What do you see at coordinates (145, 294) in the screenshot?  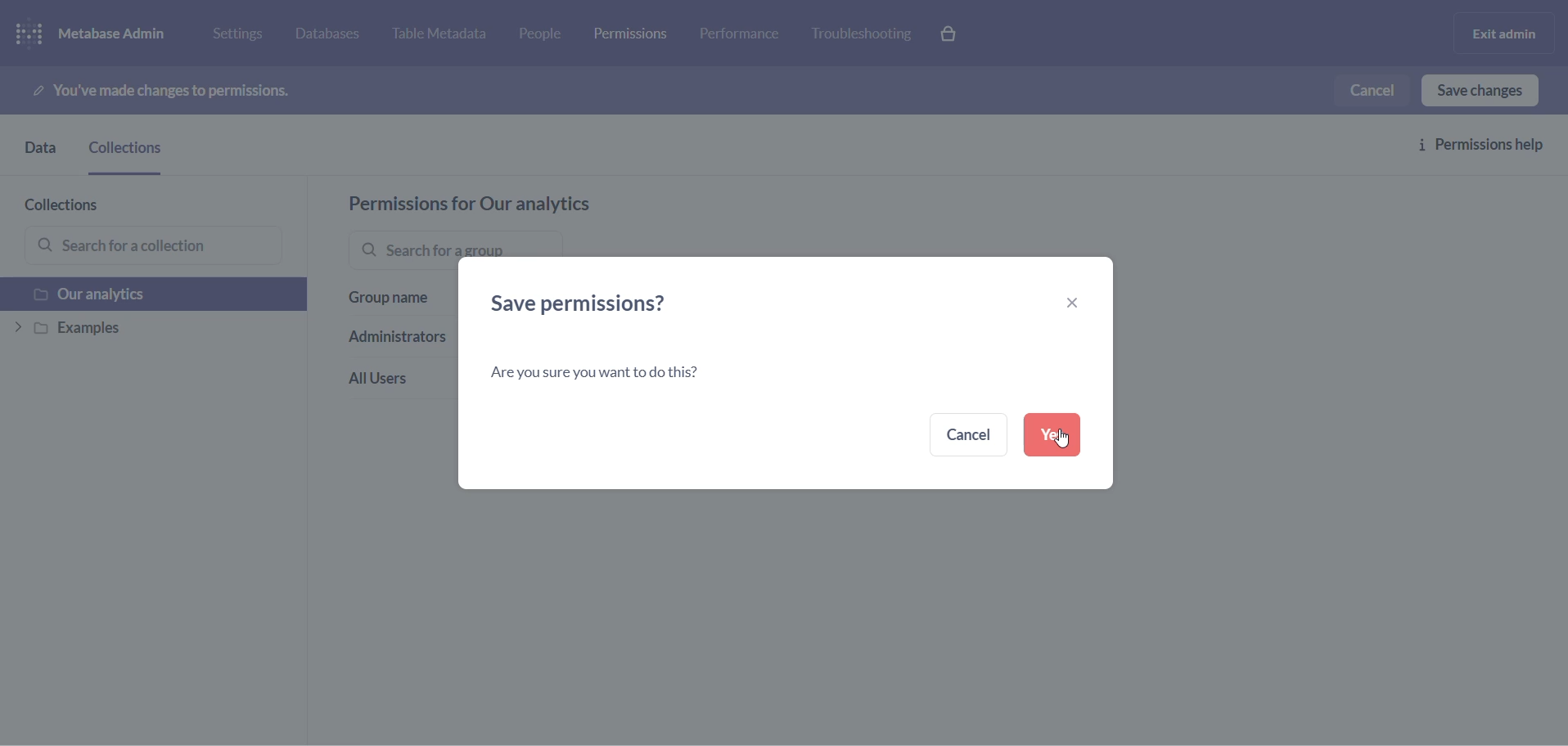 I see `our analytics` at bounding box center [145, 294].